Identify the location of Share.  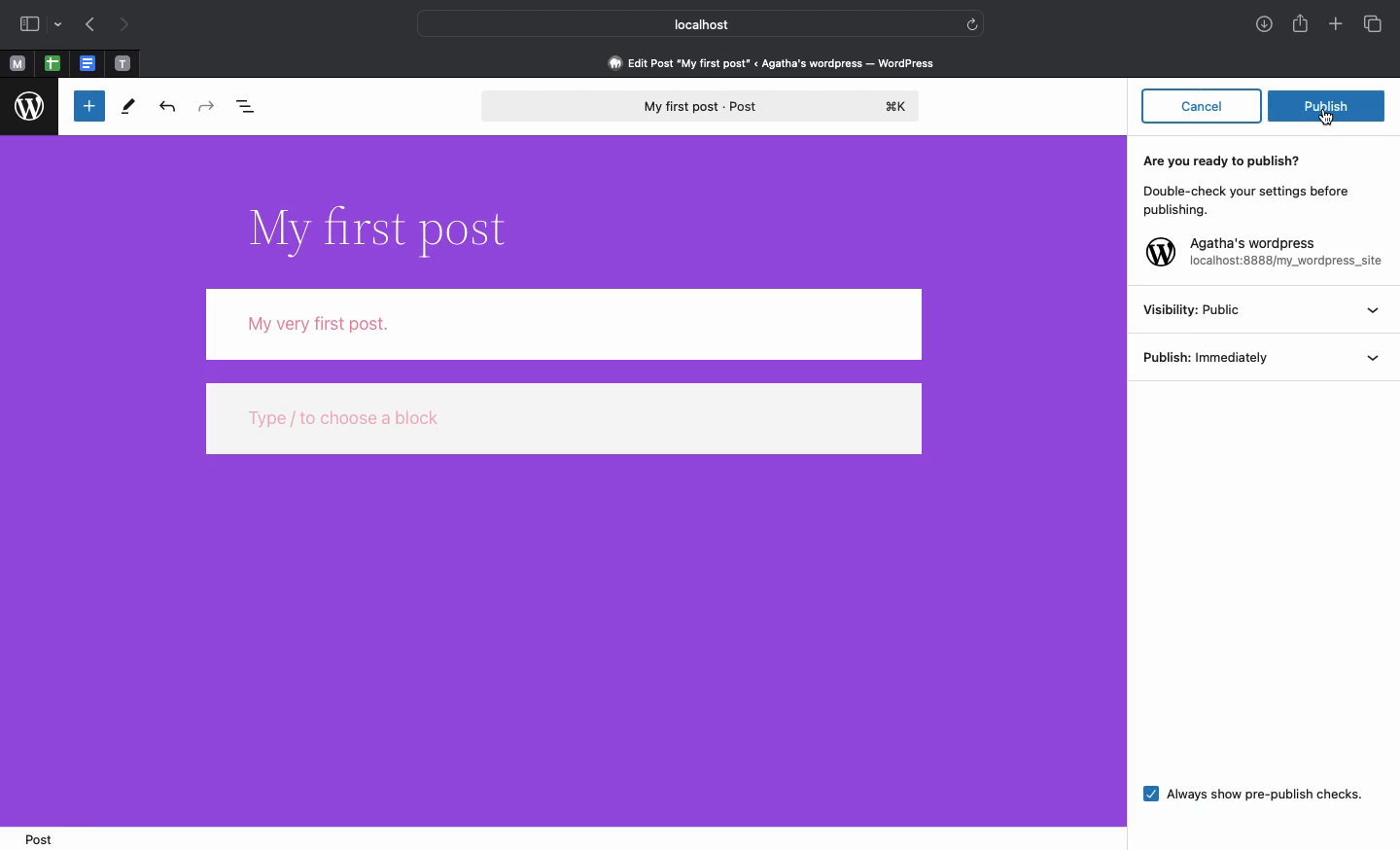
(1302, 25).